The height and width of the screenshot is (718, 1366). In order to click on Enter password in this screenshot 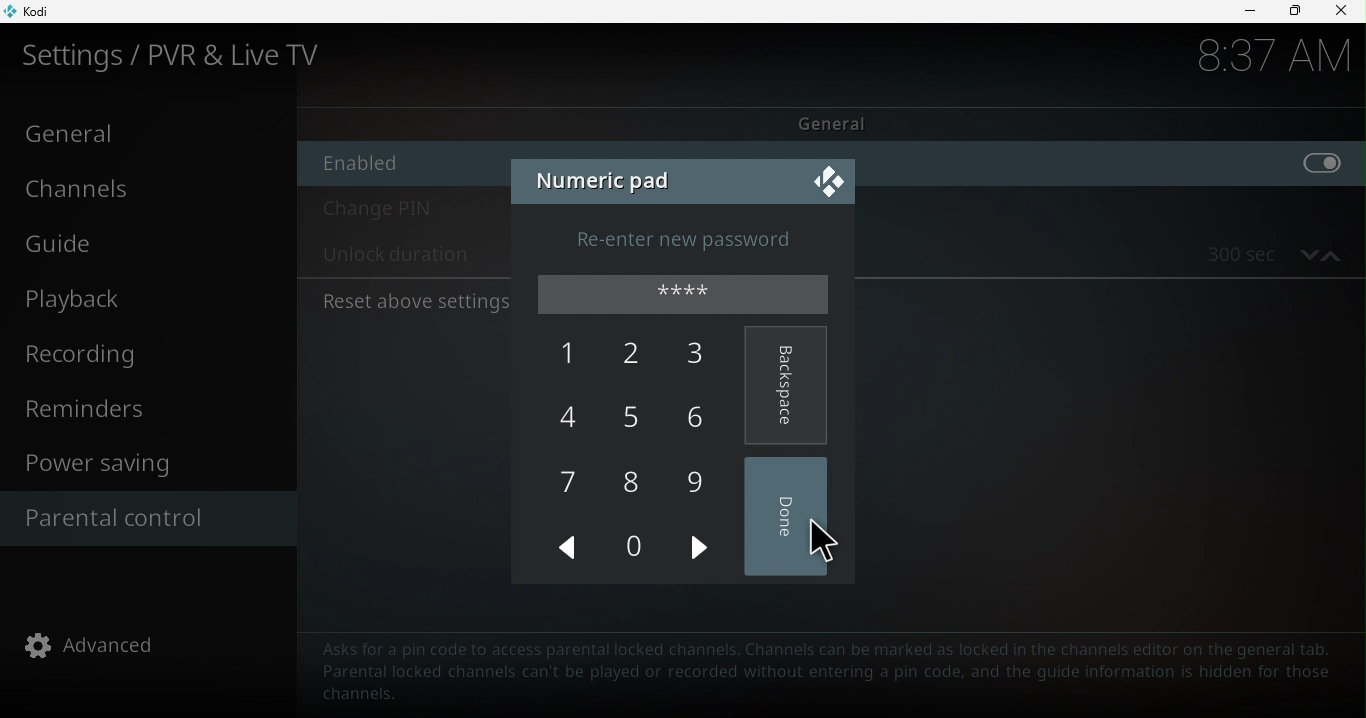, I will do `click(689, 297)`.